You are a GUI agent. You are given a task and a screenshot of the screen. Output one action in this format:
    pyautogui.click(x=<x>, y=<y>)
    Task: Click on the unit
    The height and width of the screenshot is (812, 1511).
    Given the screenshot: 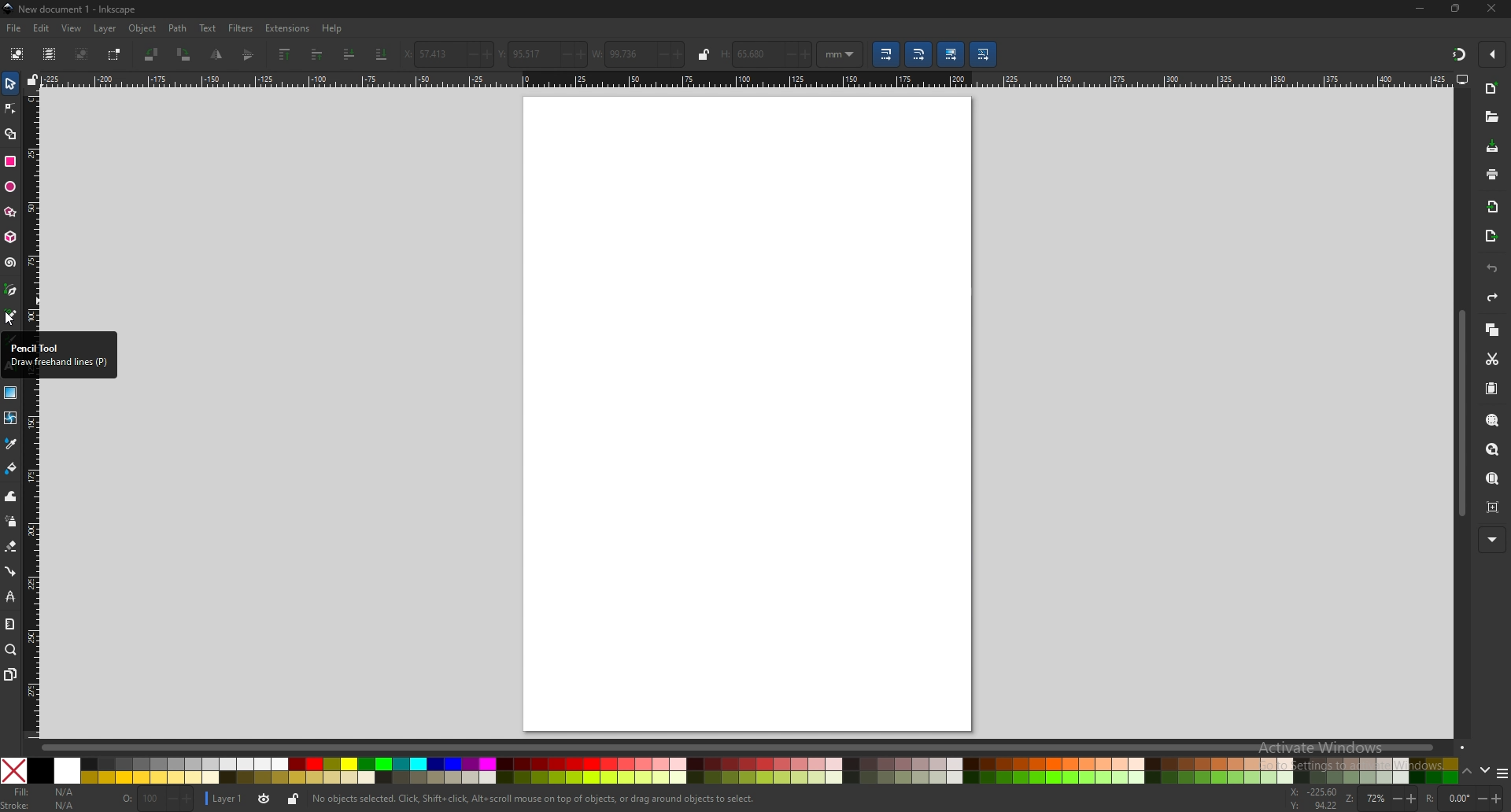 What is the action you would take?
    pyautogui.click(x=840, y=54)
    